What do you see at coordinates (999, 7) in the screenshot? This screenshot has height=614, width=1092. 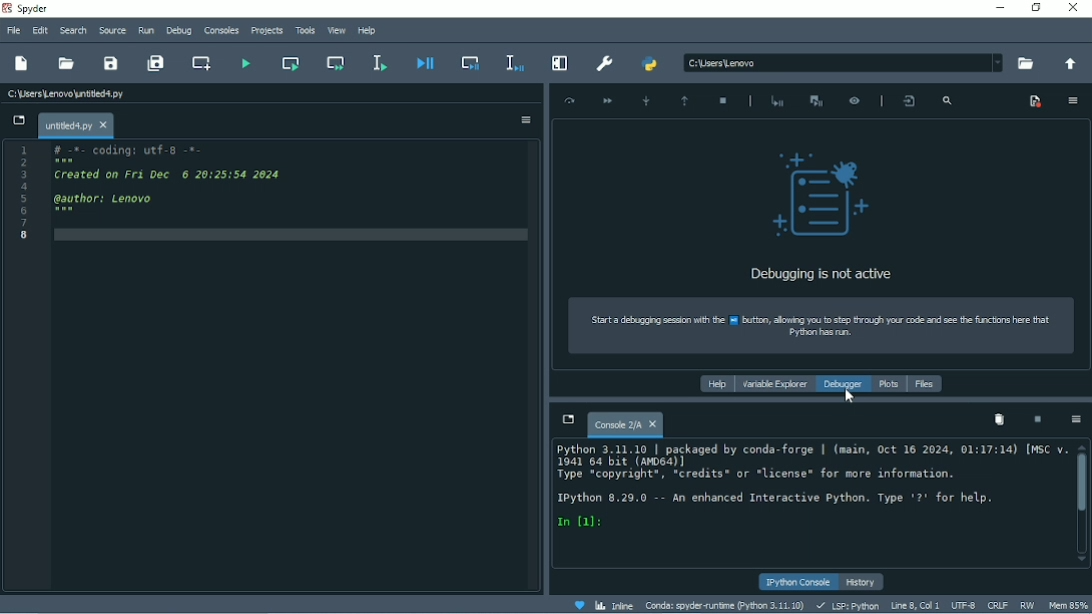 I see `Minimize` at bounding box center [999, 7].